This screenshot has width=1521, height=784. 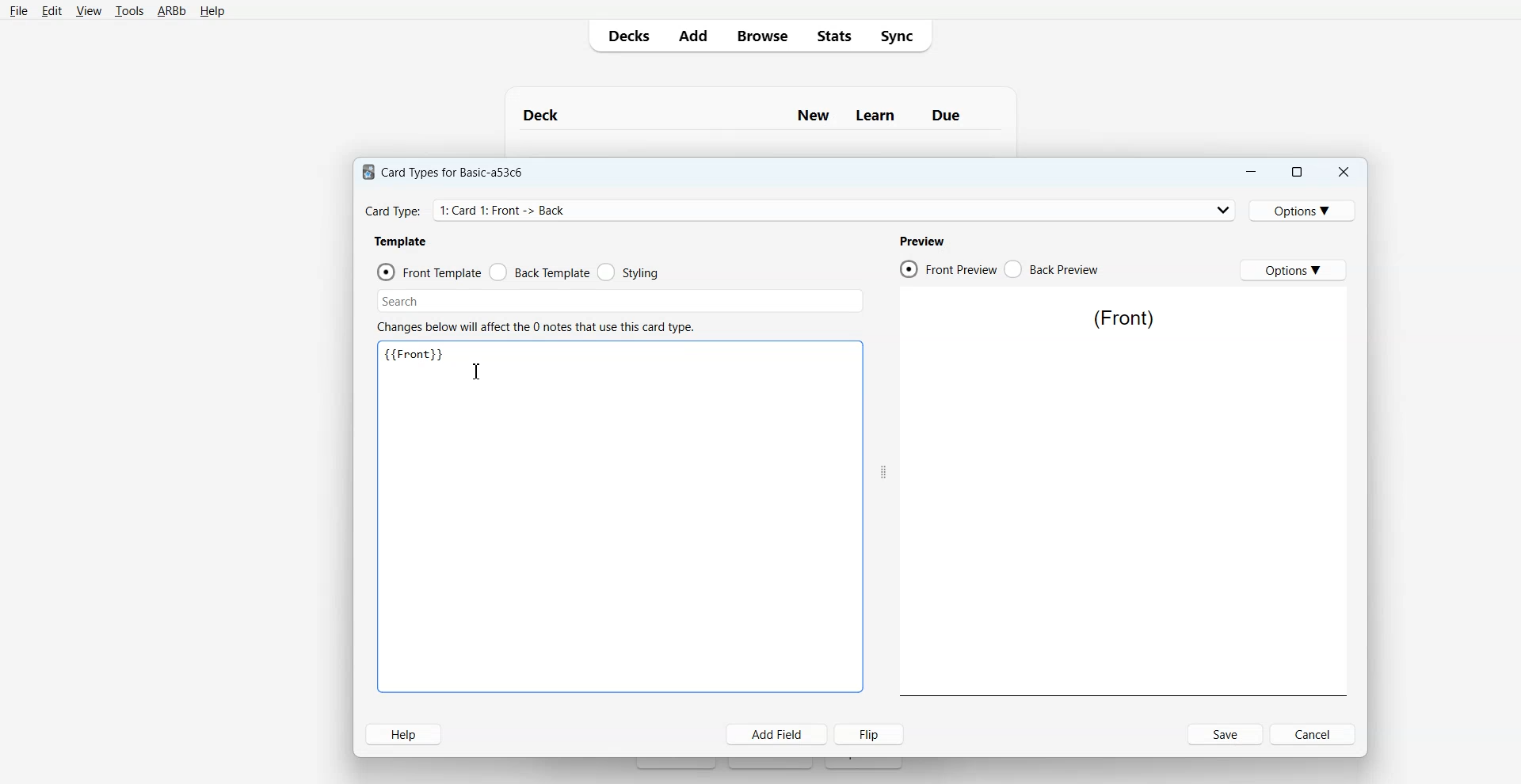 I want to click on Template, so click(x=402, y=241).